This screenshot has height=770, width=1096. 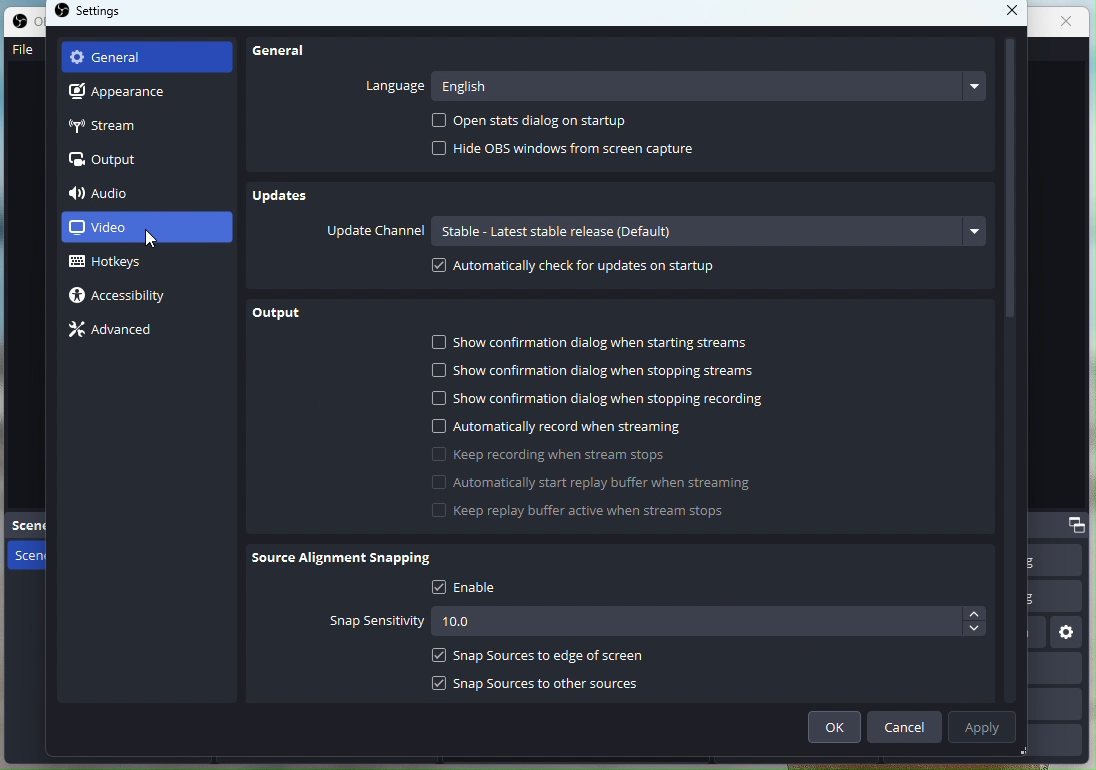 I want to click on enable, so click(x=458, y=587).